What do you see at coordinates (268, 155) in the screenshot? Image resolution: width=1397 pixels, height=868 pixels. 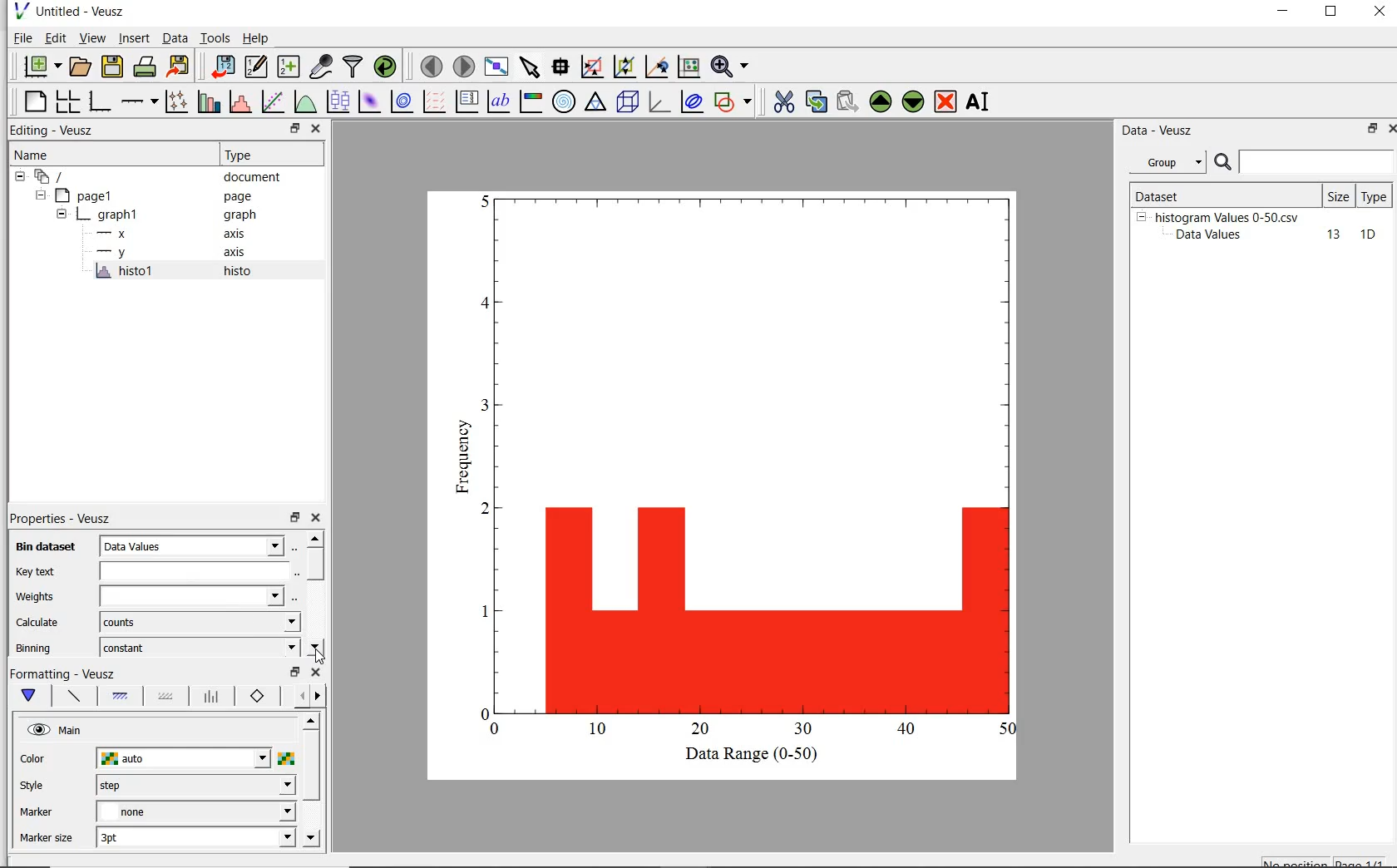 I see `Type` at bounding box center [268, 155].